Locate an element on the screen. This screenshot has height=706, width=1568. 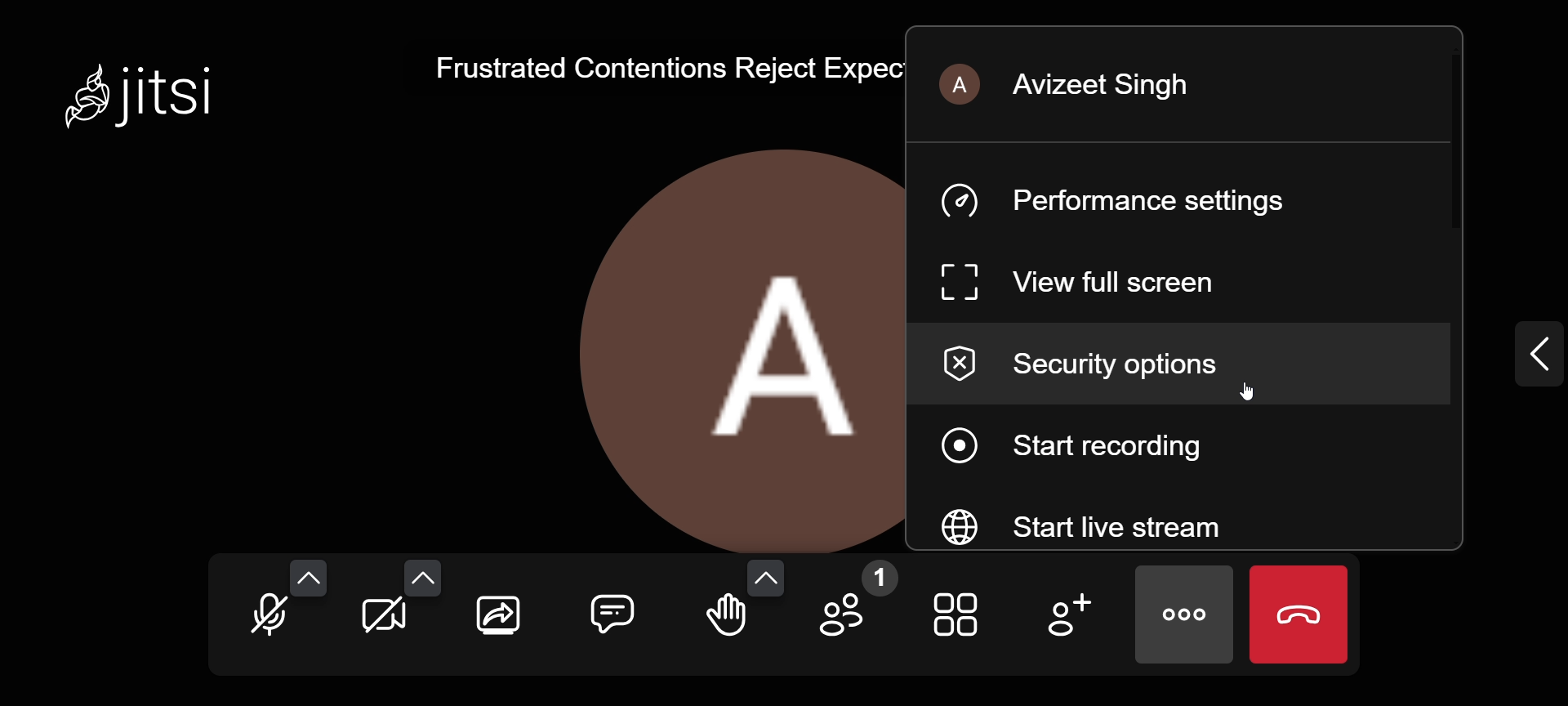
Frustrated Contentions Reject Expec is located at coordinates (658, 67).